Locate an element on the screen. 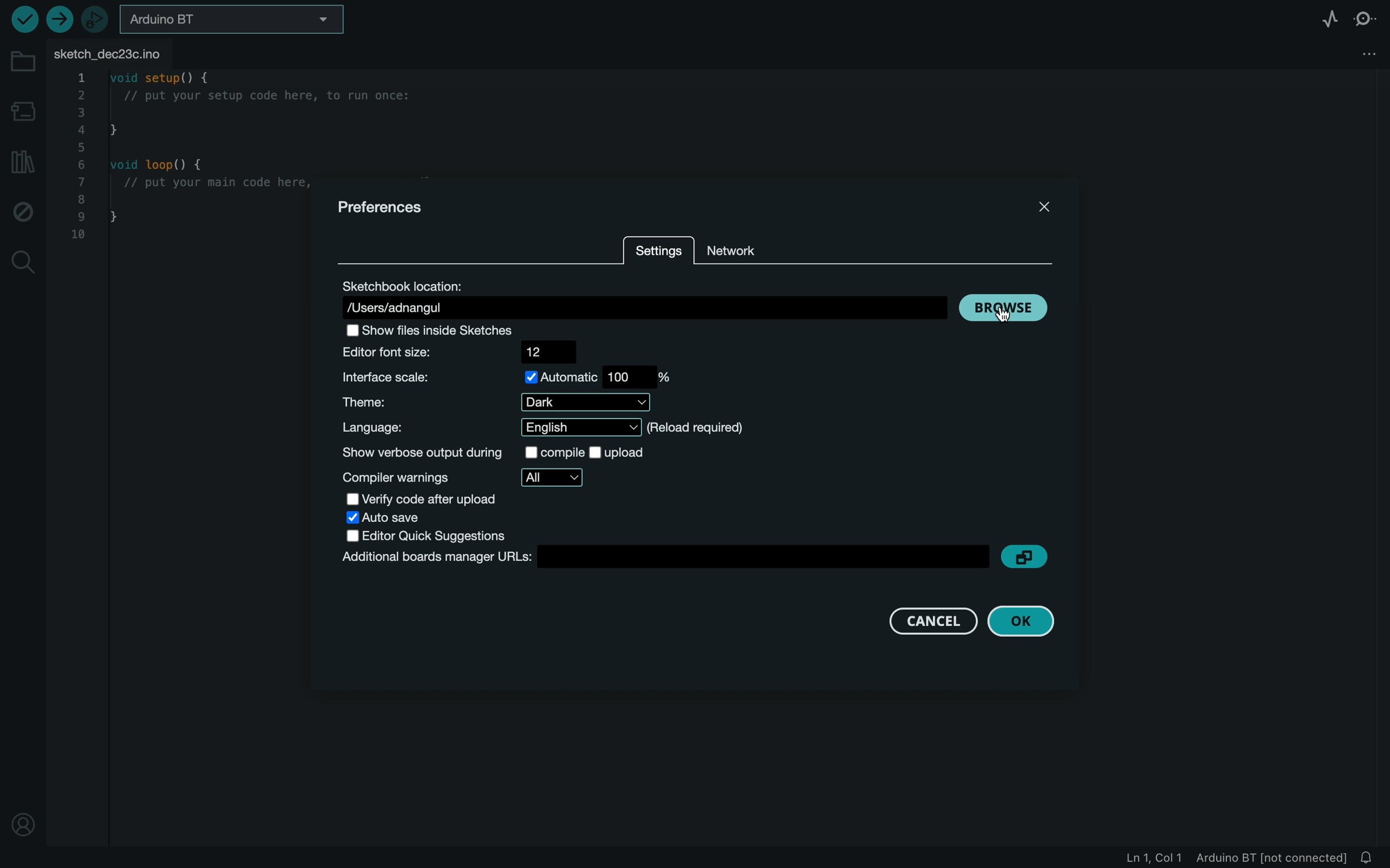 Image resolution: width=1390 pixels, height=868 pixels. library is located at coordinates (22, 164).